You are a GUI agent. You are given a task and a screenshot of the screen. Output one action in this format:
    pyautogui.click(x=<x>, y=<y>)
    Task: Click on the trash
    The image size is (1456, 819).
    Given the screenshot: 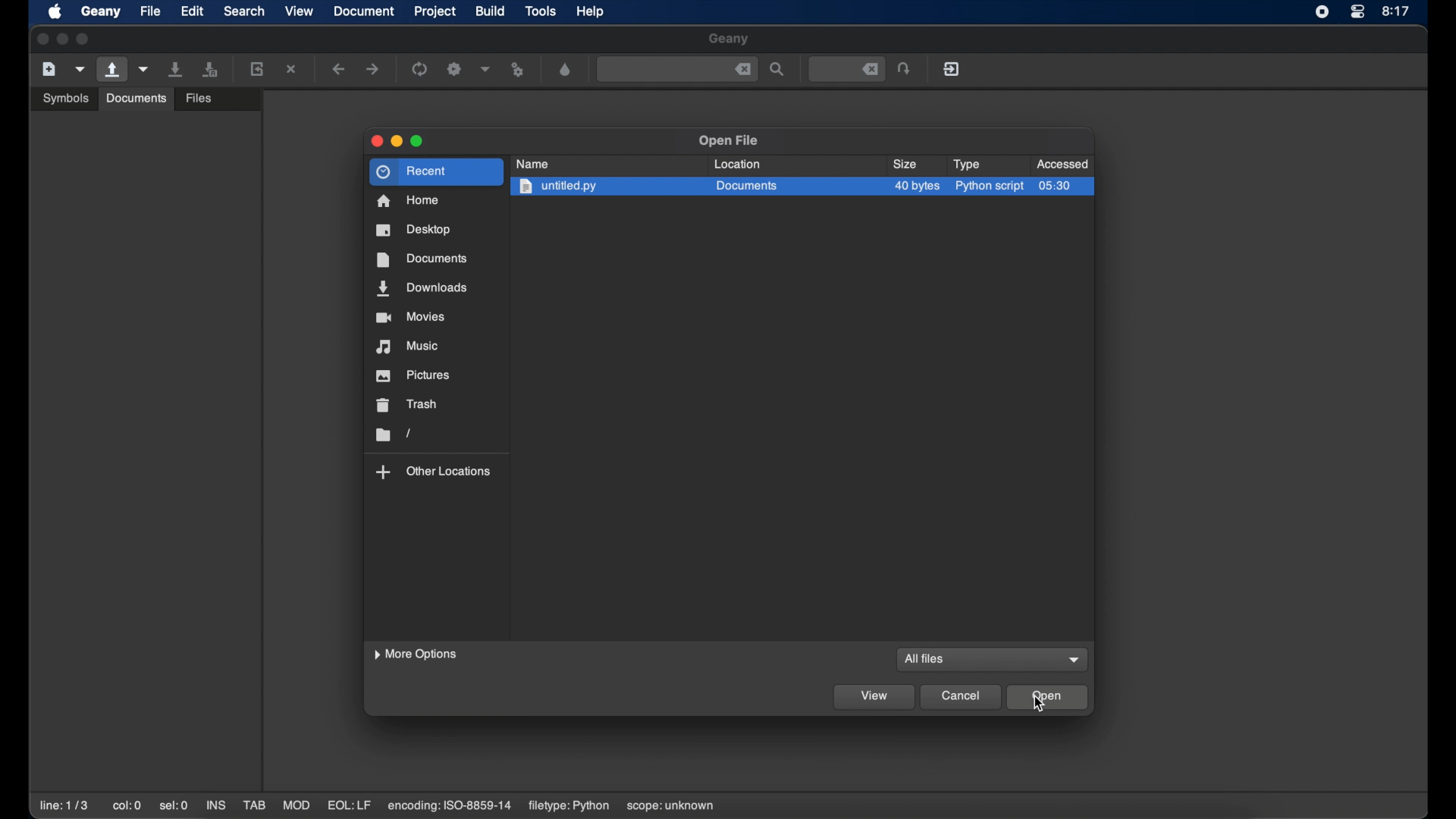 What is the action you would take?
    pyautogui.click(x=408, y=404)
    